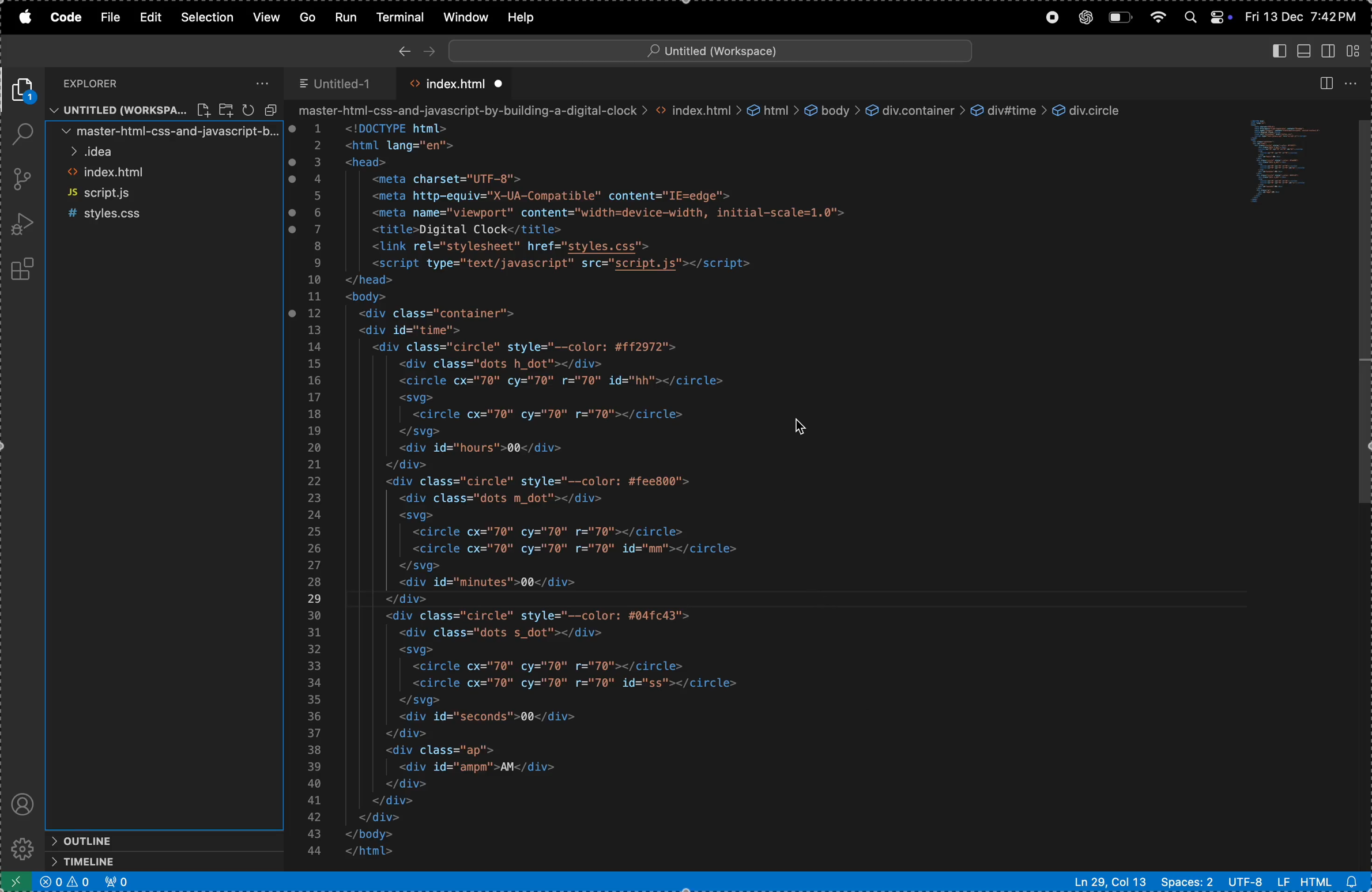 This screenshot has width=1372, height=892. What do you see at coordinates (149, 17) in the screenshot?
I see `Edit` at bounding box center [149, 17].